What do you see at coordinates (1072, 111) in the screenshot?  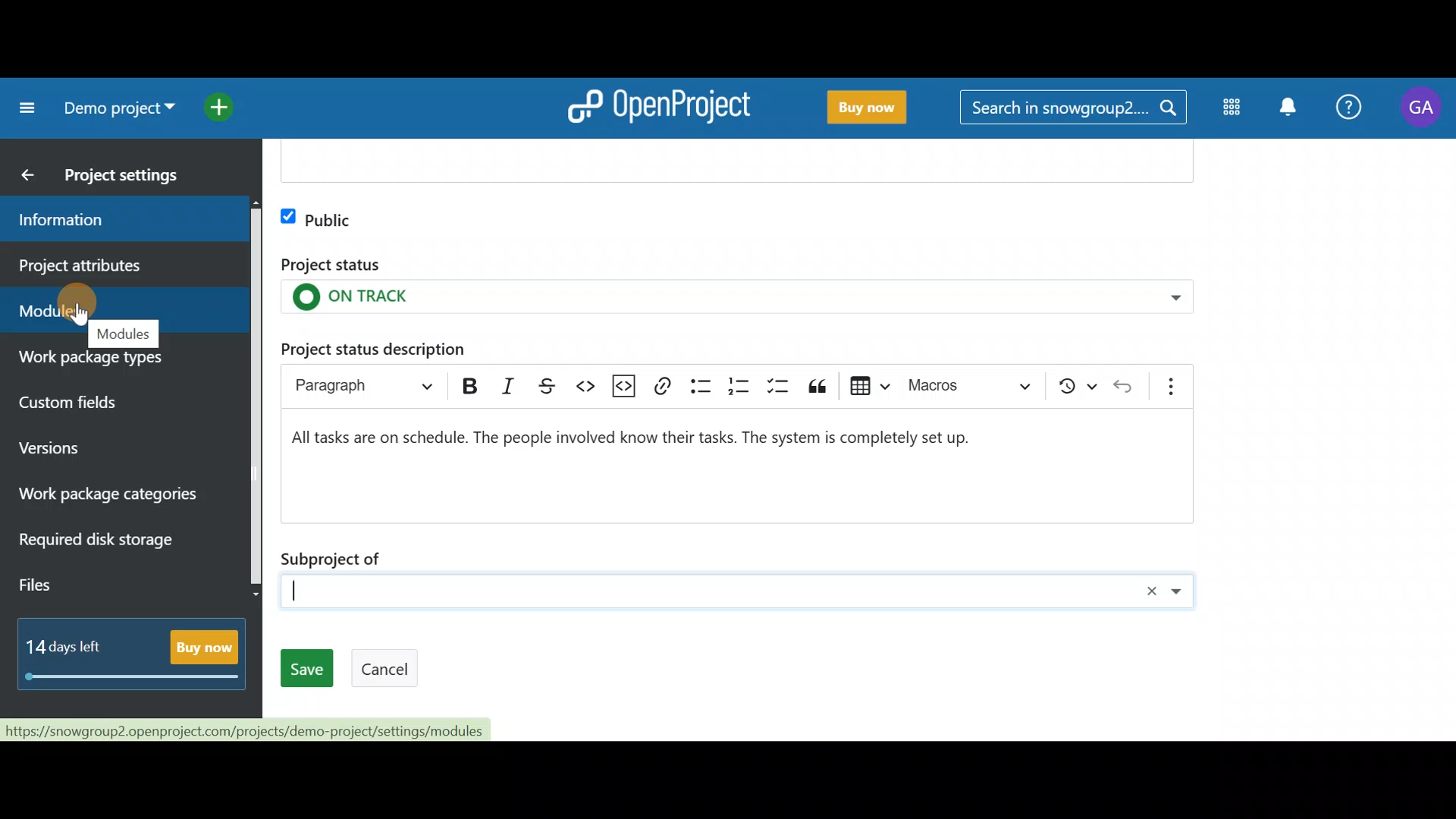 I see `Search bar` at bounding box center [1072, 111].